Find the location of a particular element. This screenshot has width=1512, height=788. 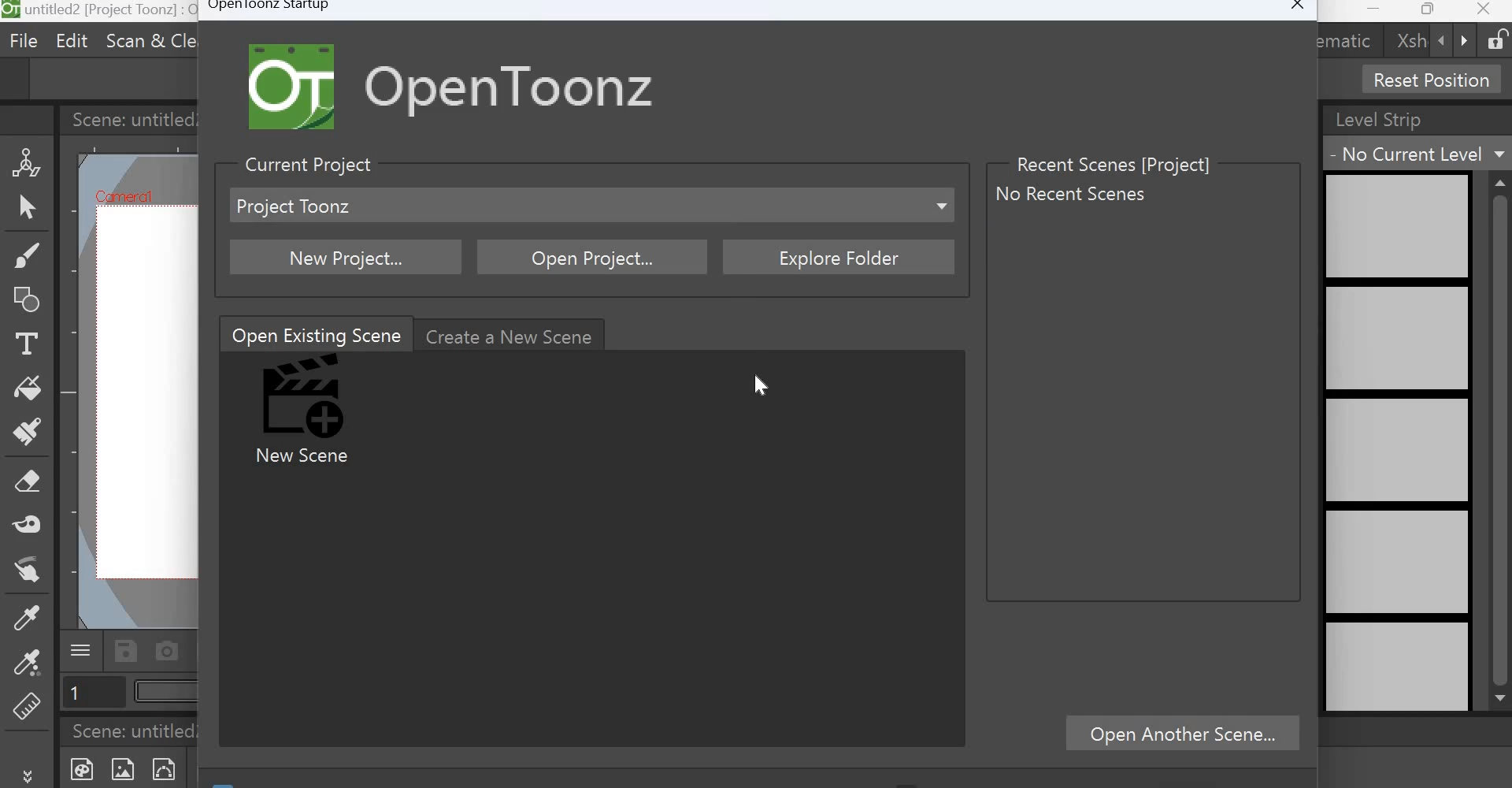

Style Picker tool is located at coordinates (24, 623).